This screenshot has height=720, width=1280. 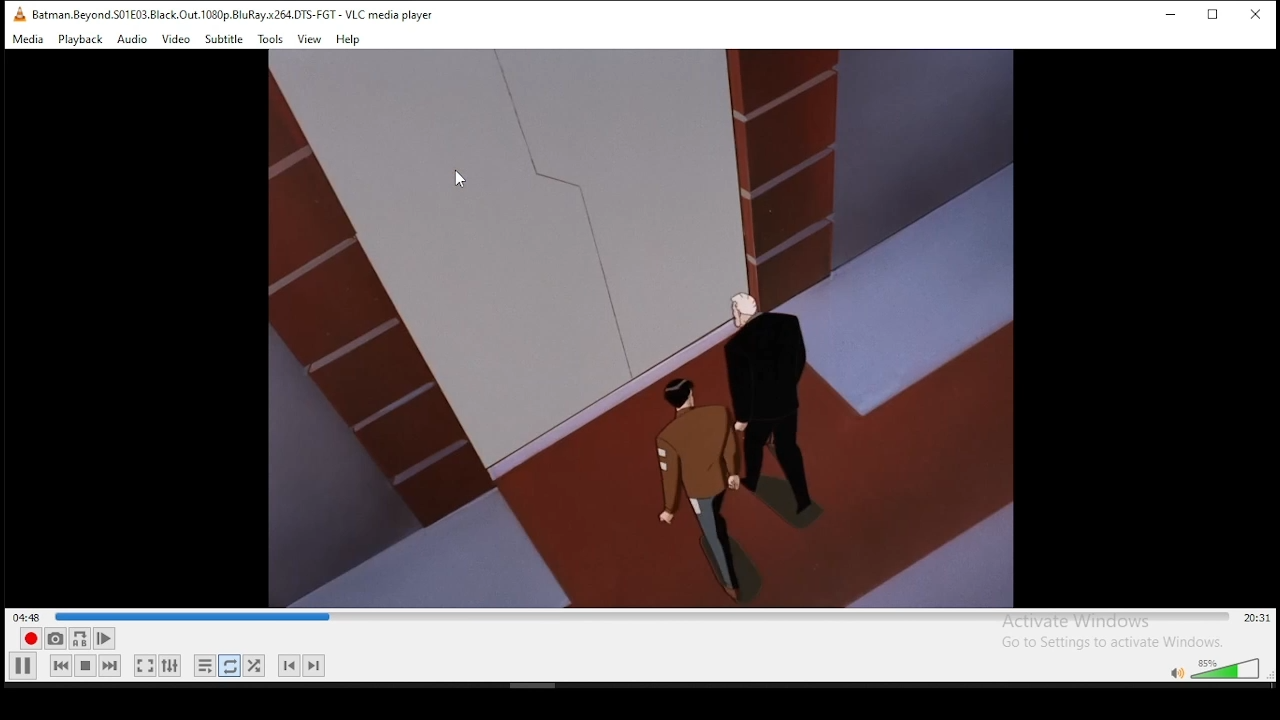 I want to click on video , so click(x=607, y=330).